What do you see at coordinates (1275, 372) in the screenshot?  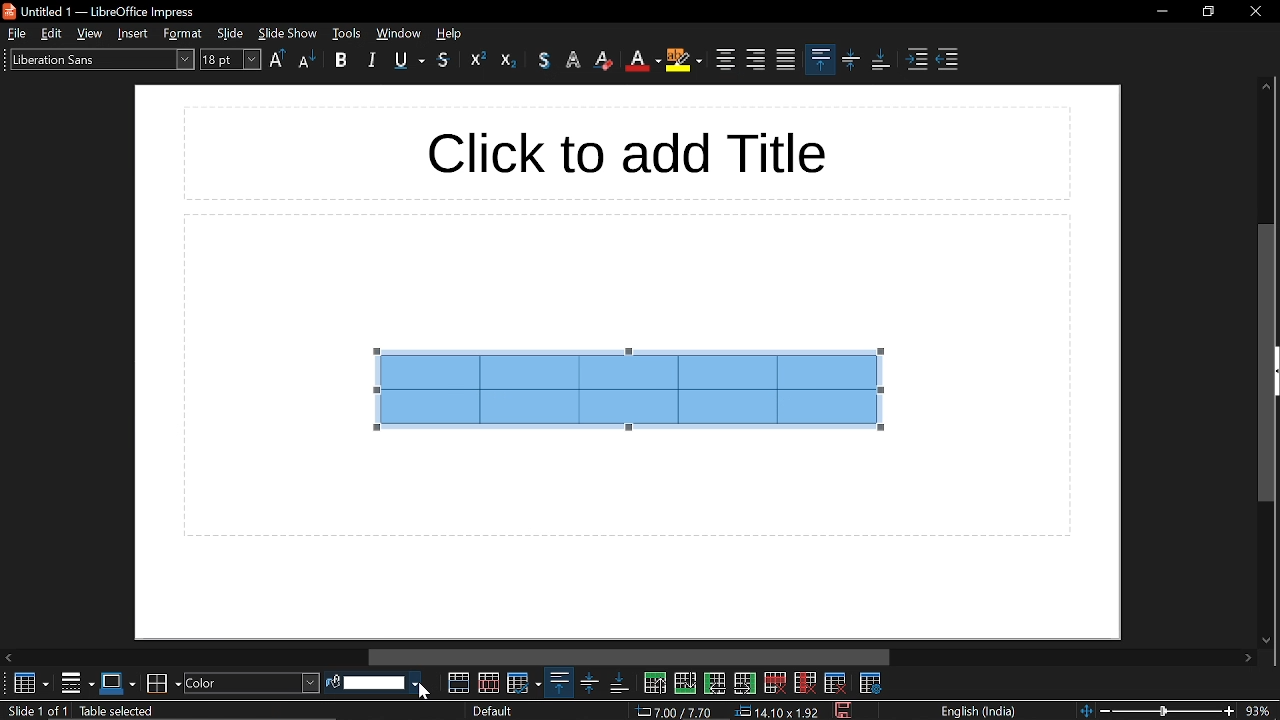 I see `expand sidebar` at bounding box center [1275, 372].